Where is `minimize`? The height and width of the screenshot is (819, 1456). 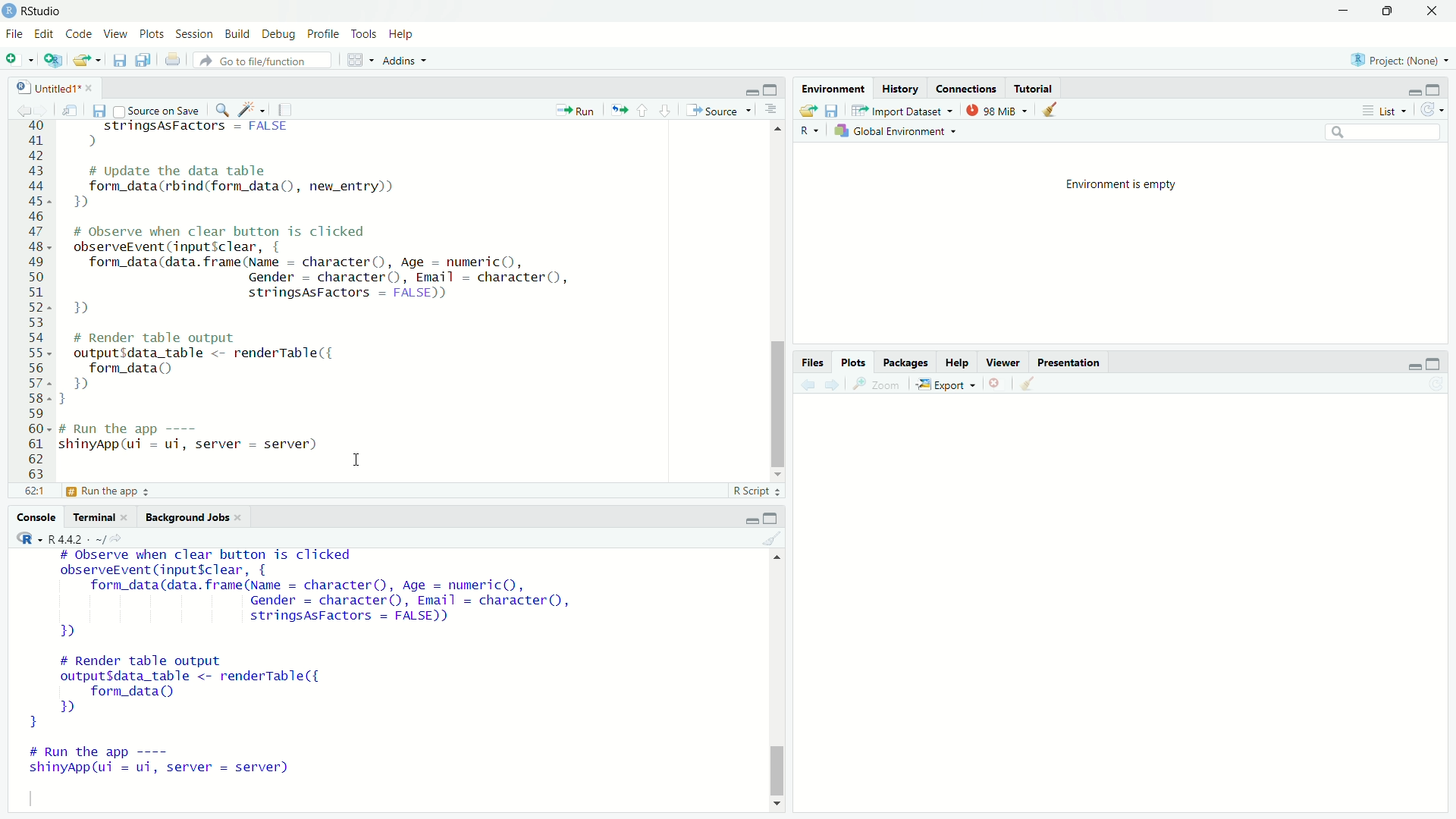 minimize is located at coordinates (1410, 91).